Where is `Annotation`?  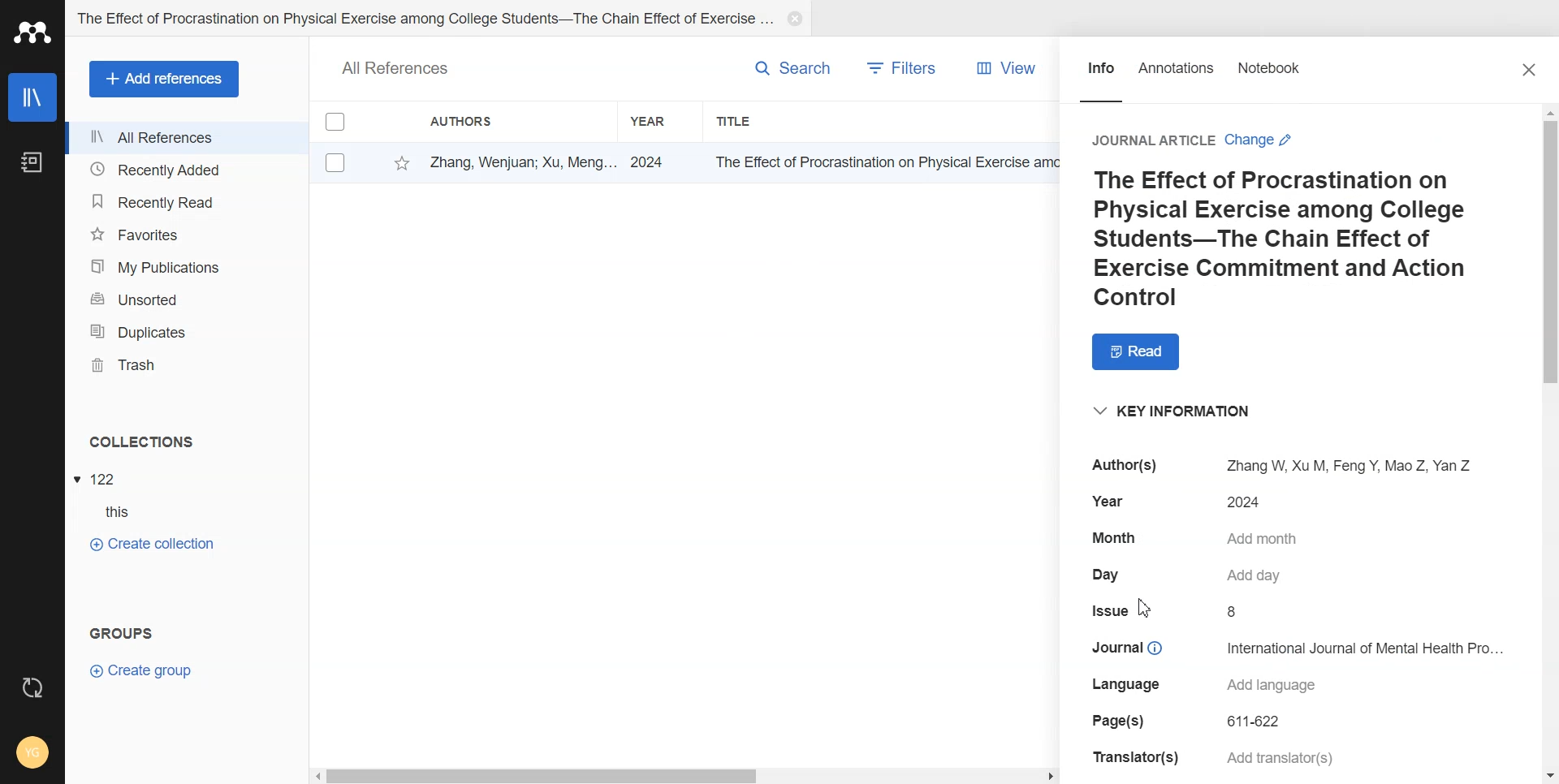
Annotation is located at coordinates (1178, 74).